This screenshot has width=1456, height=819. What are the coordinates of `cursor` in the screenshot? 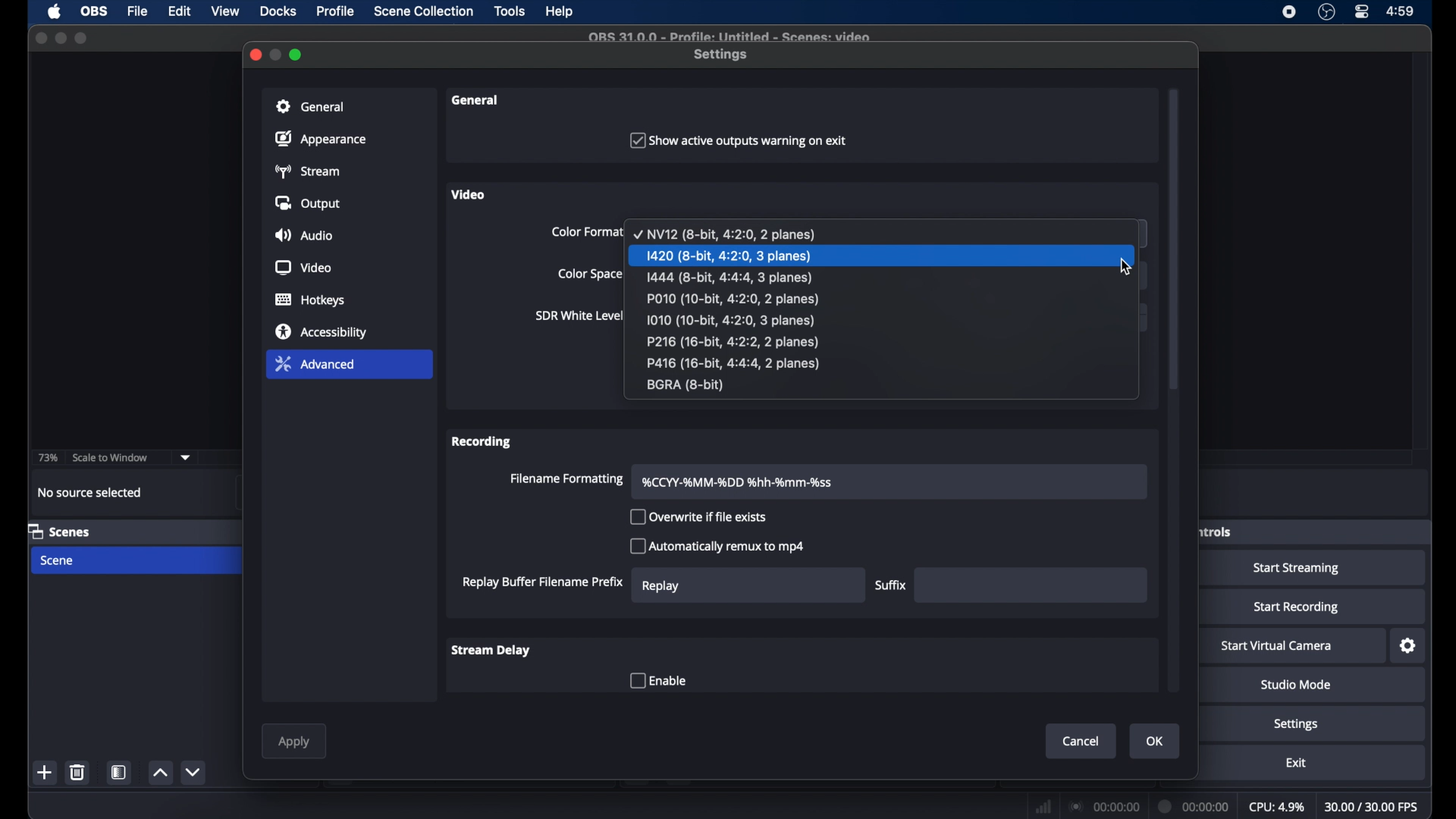 It's located at (1127, 266).